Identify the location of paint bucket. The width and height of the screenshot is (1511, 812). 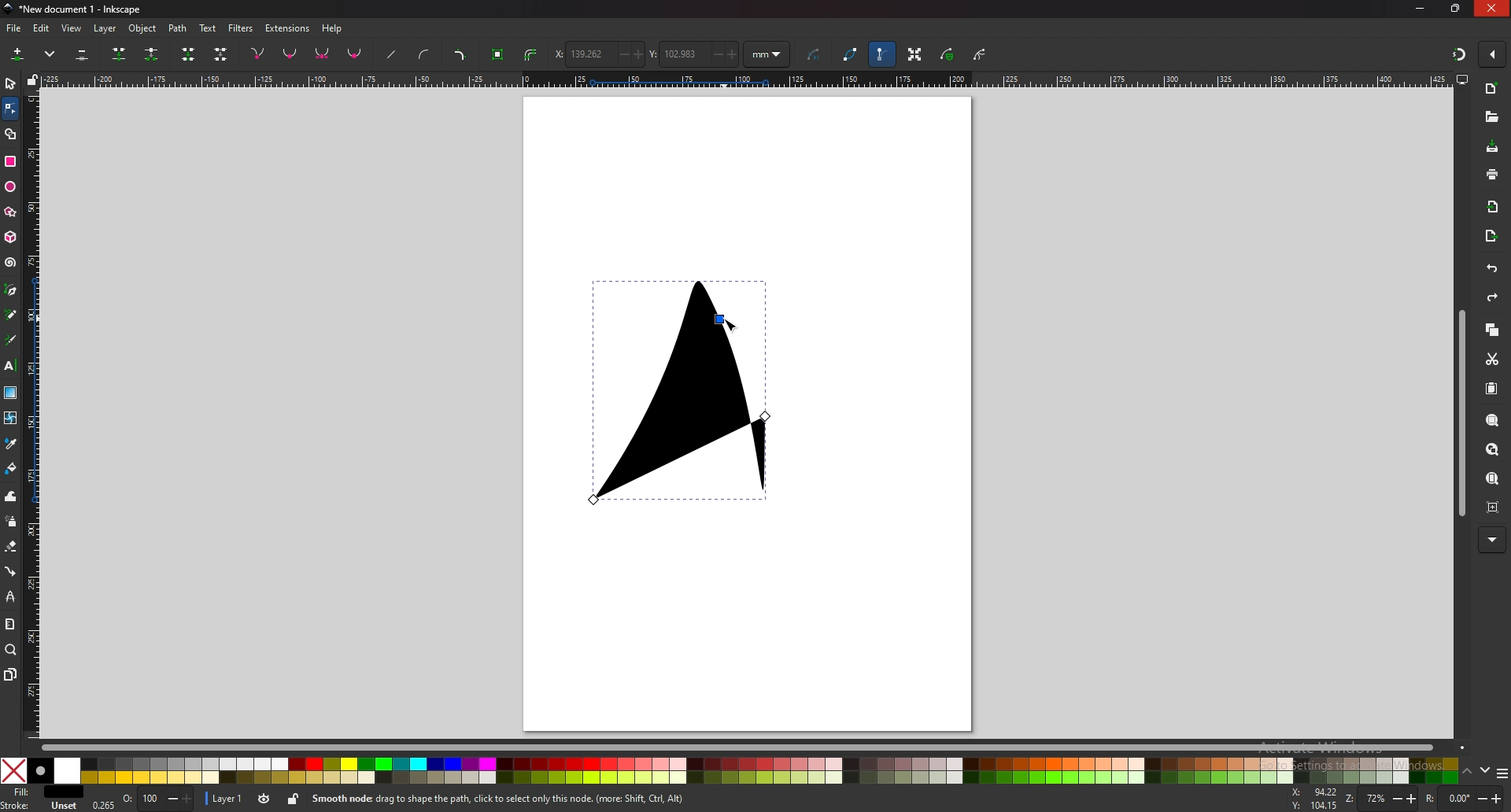
(10, 469).